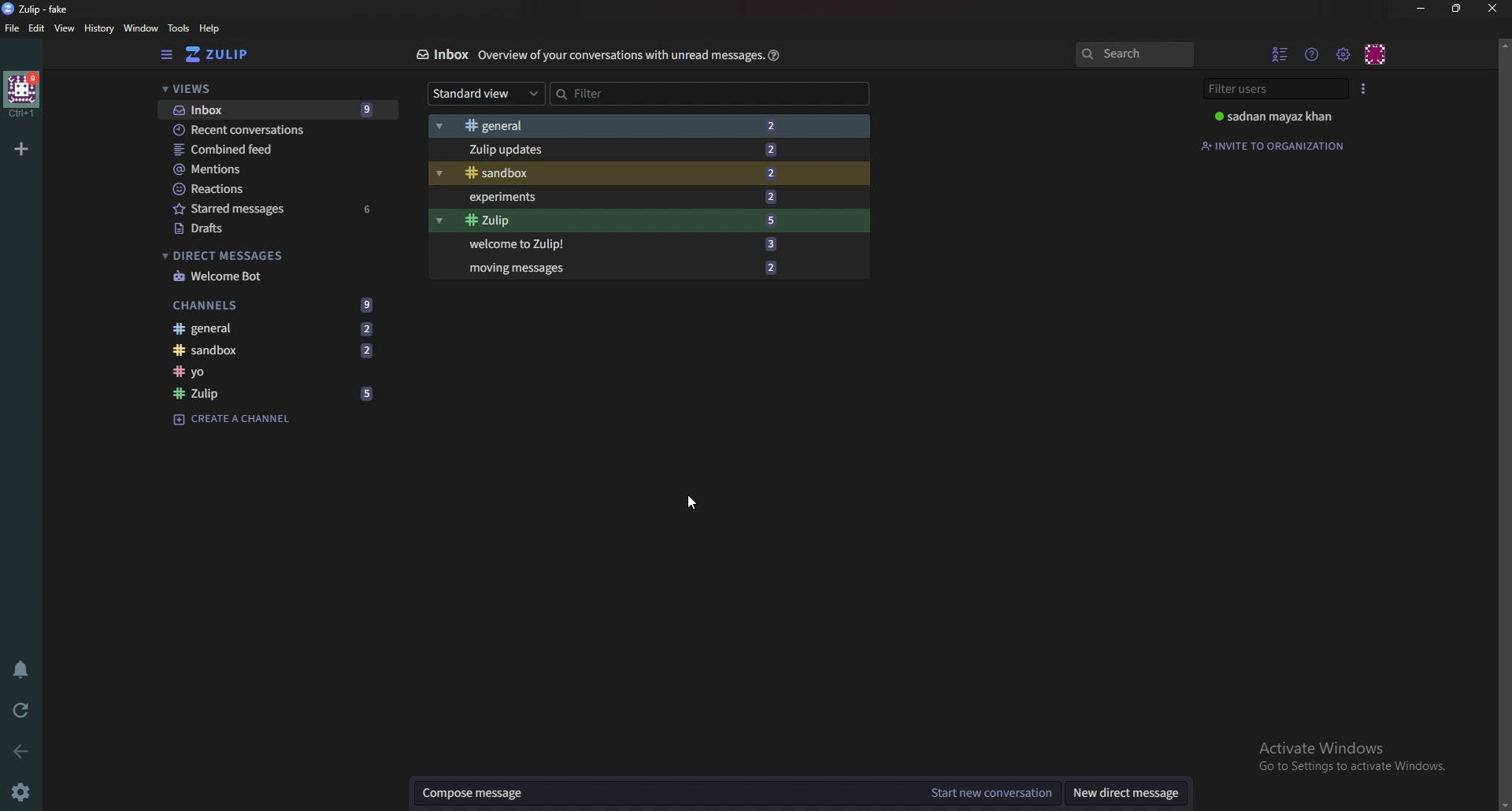  Describe the element at coordinates (267, 129) in the screenshot. I see `Recent conversations` at that location.